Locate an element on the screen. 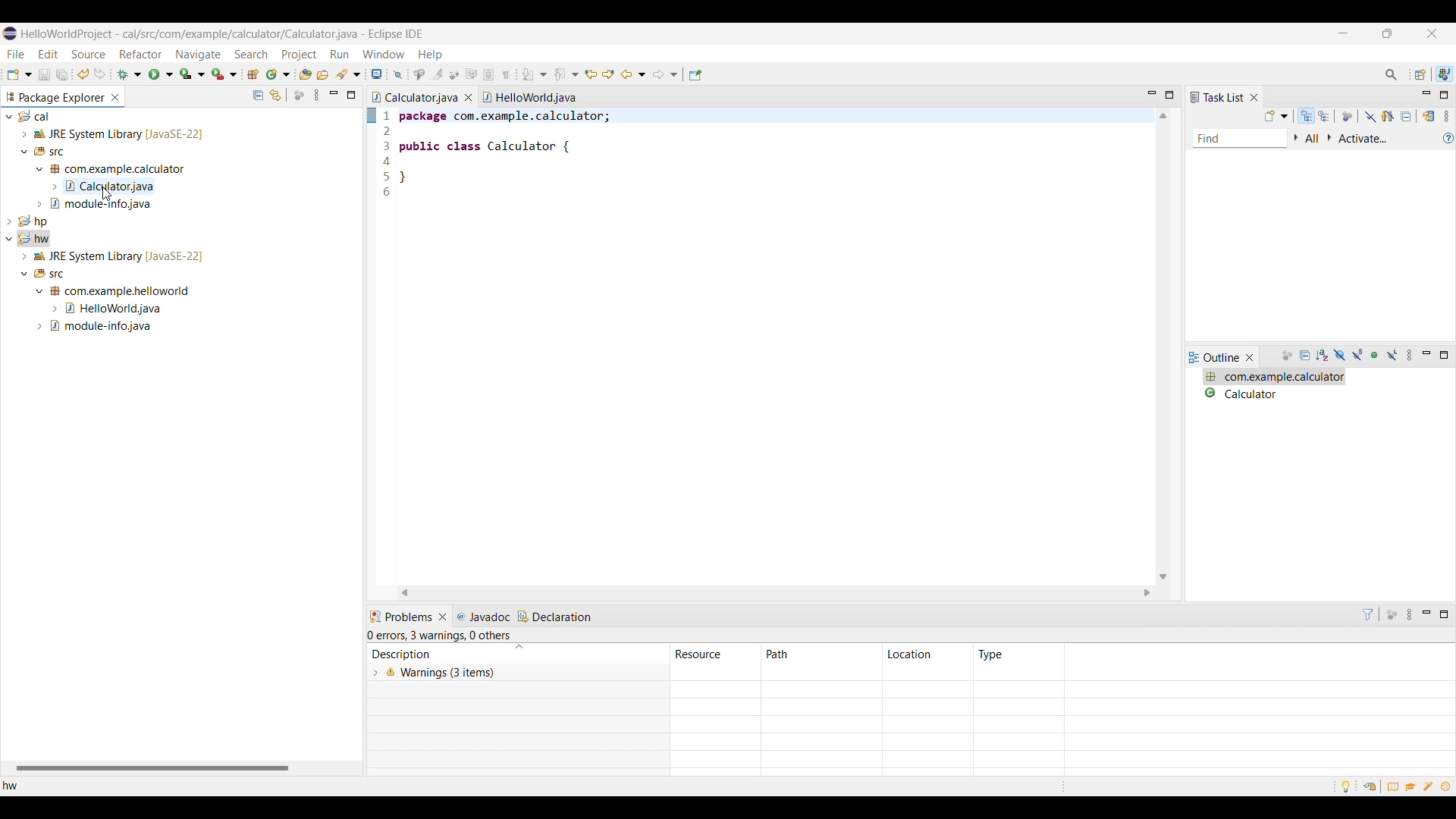 This screenshot has width=1456, height=819. Project is located at coordinates (298, 55).